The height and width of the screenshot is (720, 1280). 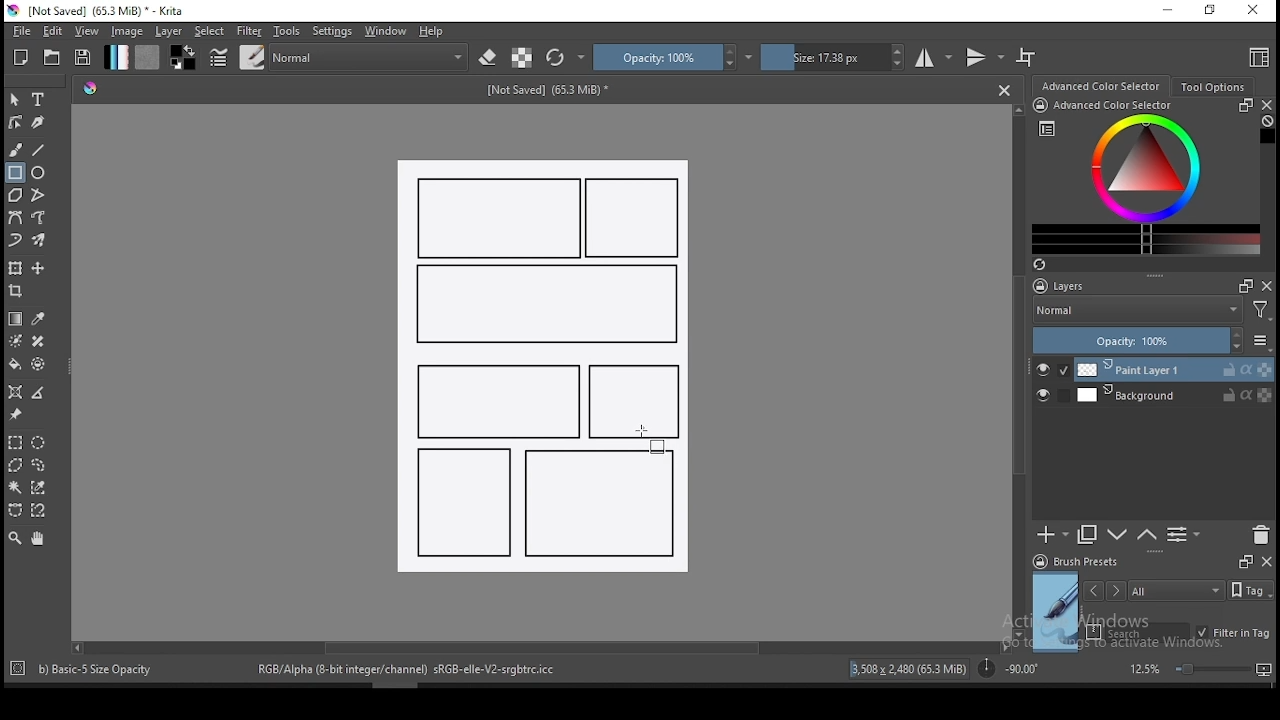 What do you see at coordinates (40, 218) in the screenshot?
I see `freehand path tool` at bounding box center [40, 218].